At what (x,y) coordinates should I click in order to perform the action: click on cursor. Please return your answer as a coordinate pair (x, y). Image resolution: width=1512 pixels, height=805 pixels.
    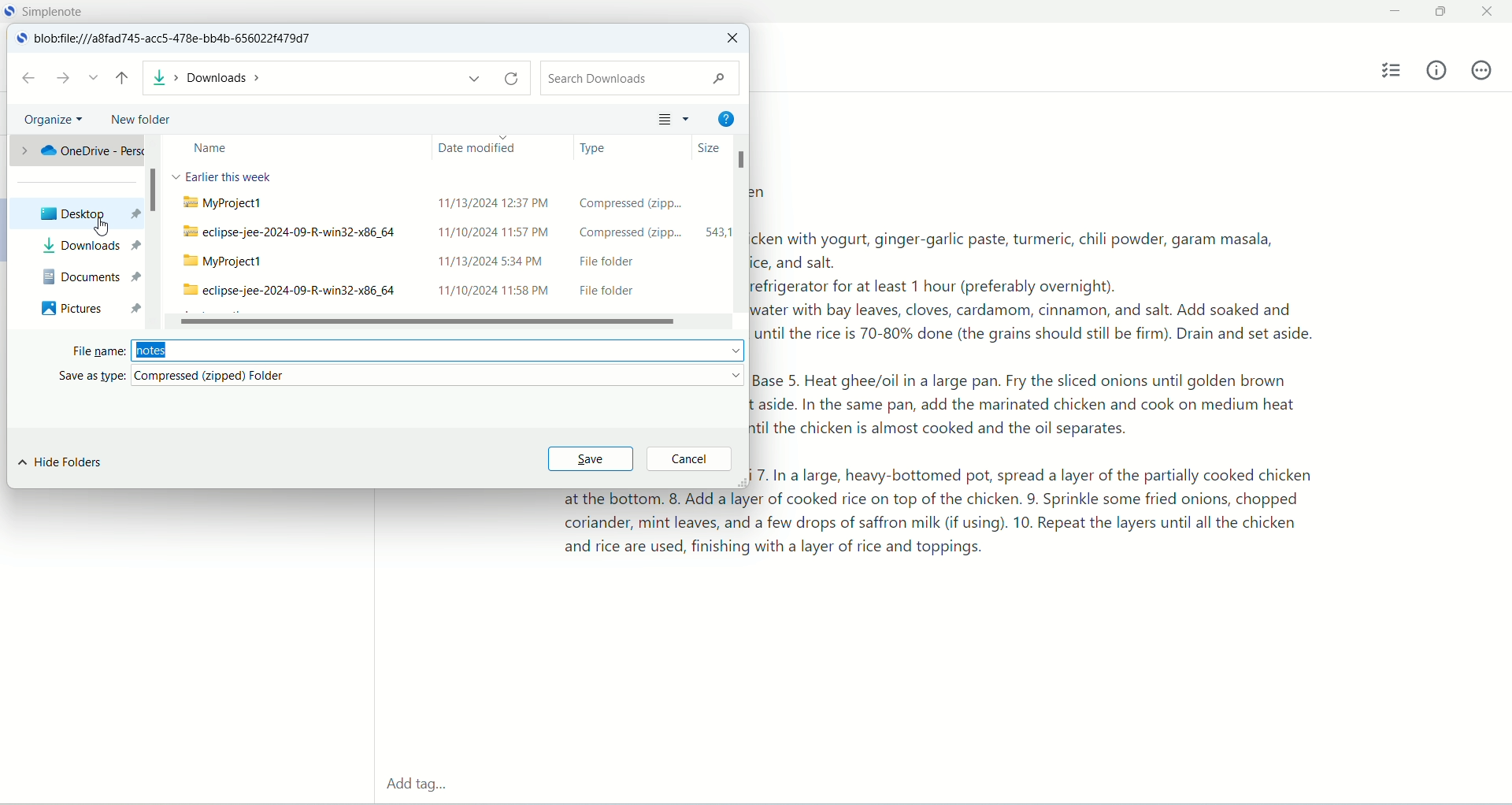
    Looking at the image, I should click on (98, 228).